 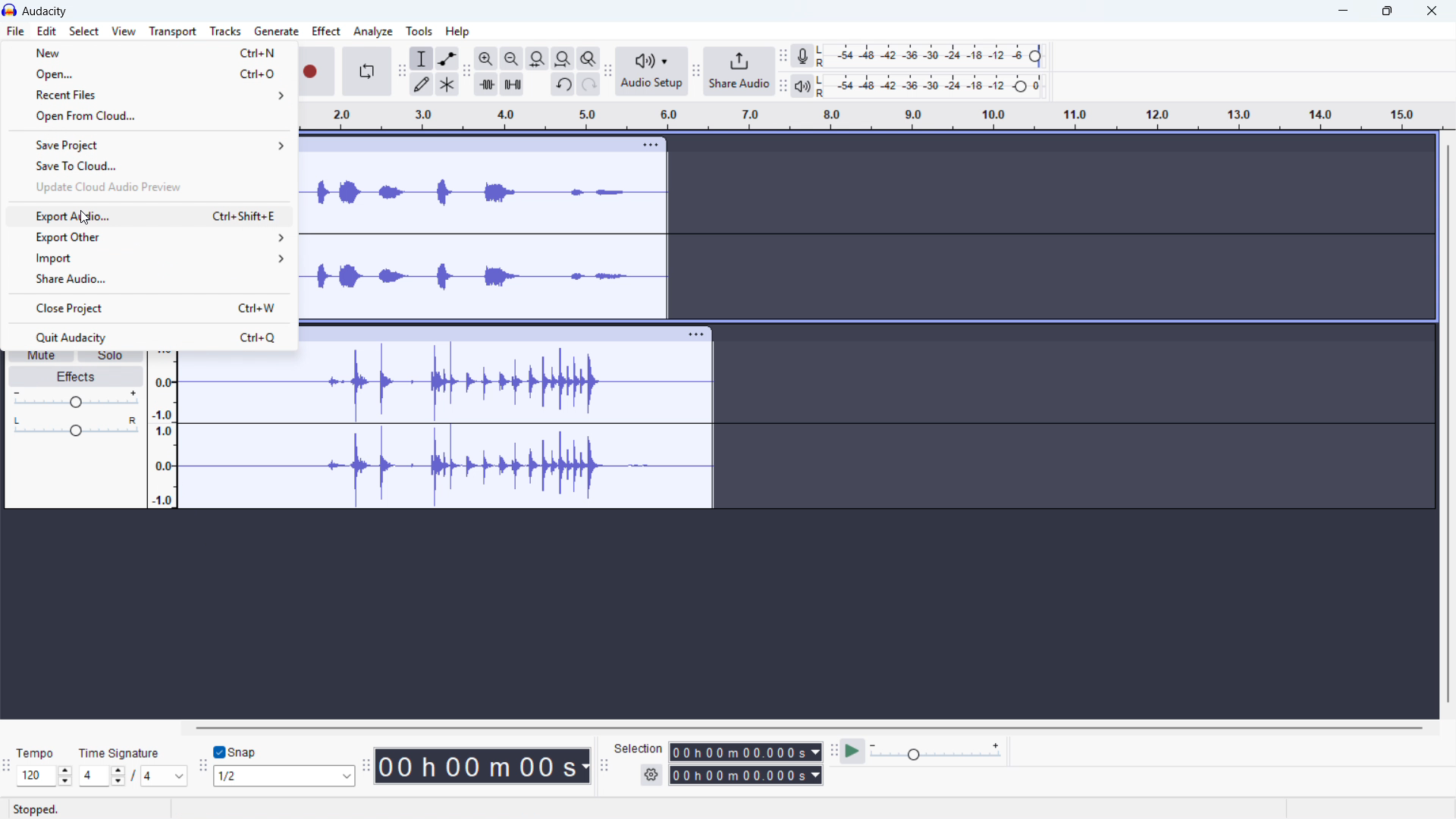 What do you see at coordinates (934, 86) in the screenshot?
I see `Recording level` at bounding box center [934, 86].